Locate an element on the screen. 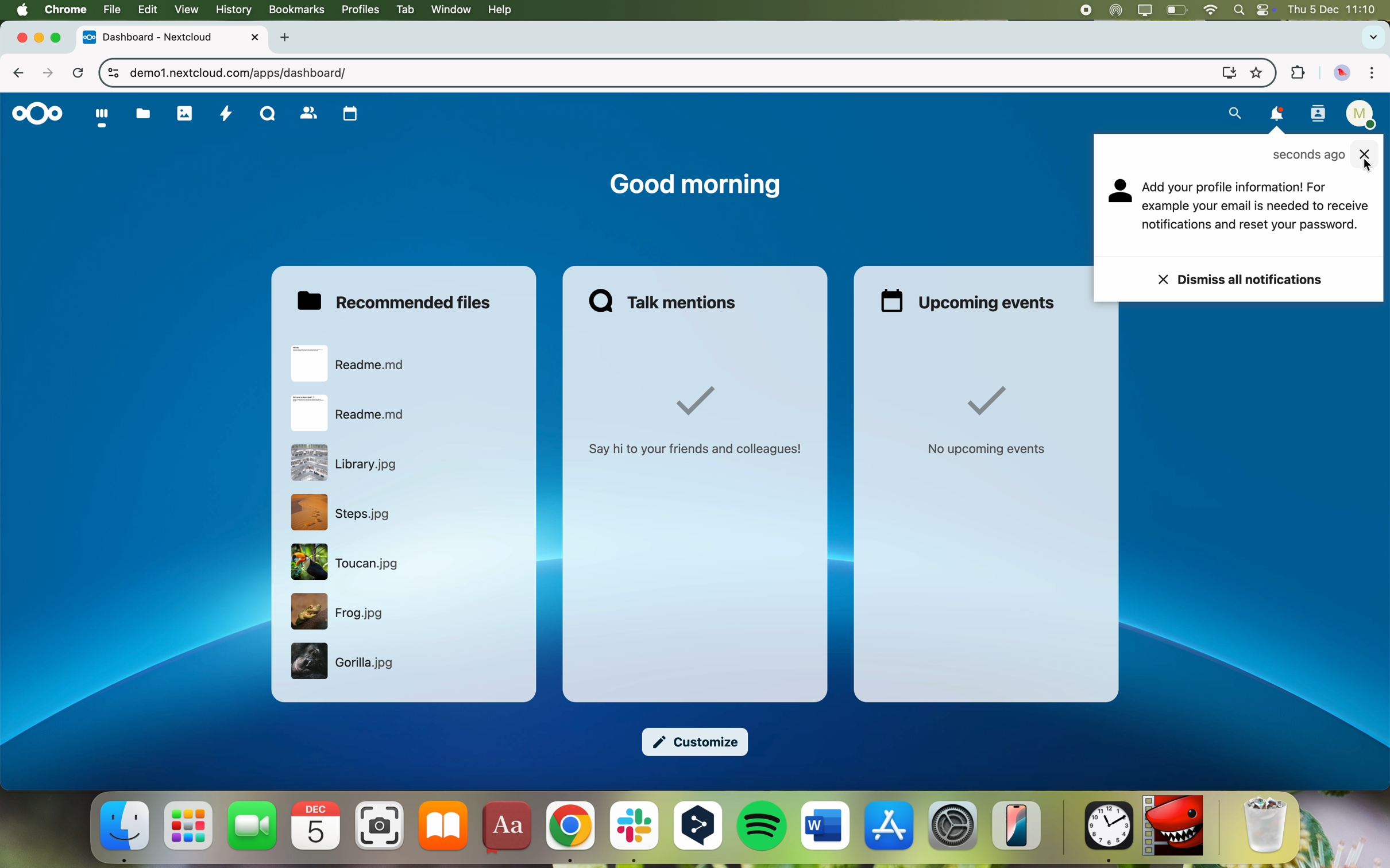  Google Chrome is located at coordinates (569, 832).